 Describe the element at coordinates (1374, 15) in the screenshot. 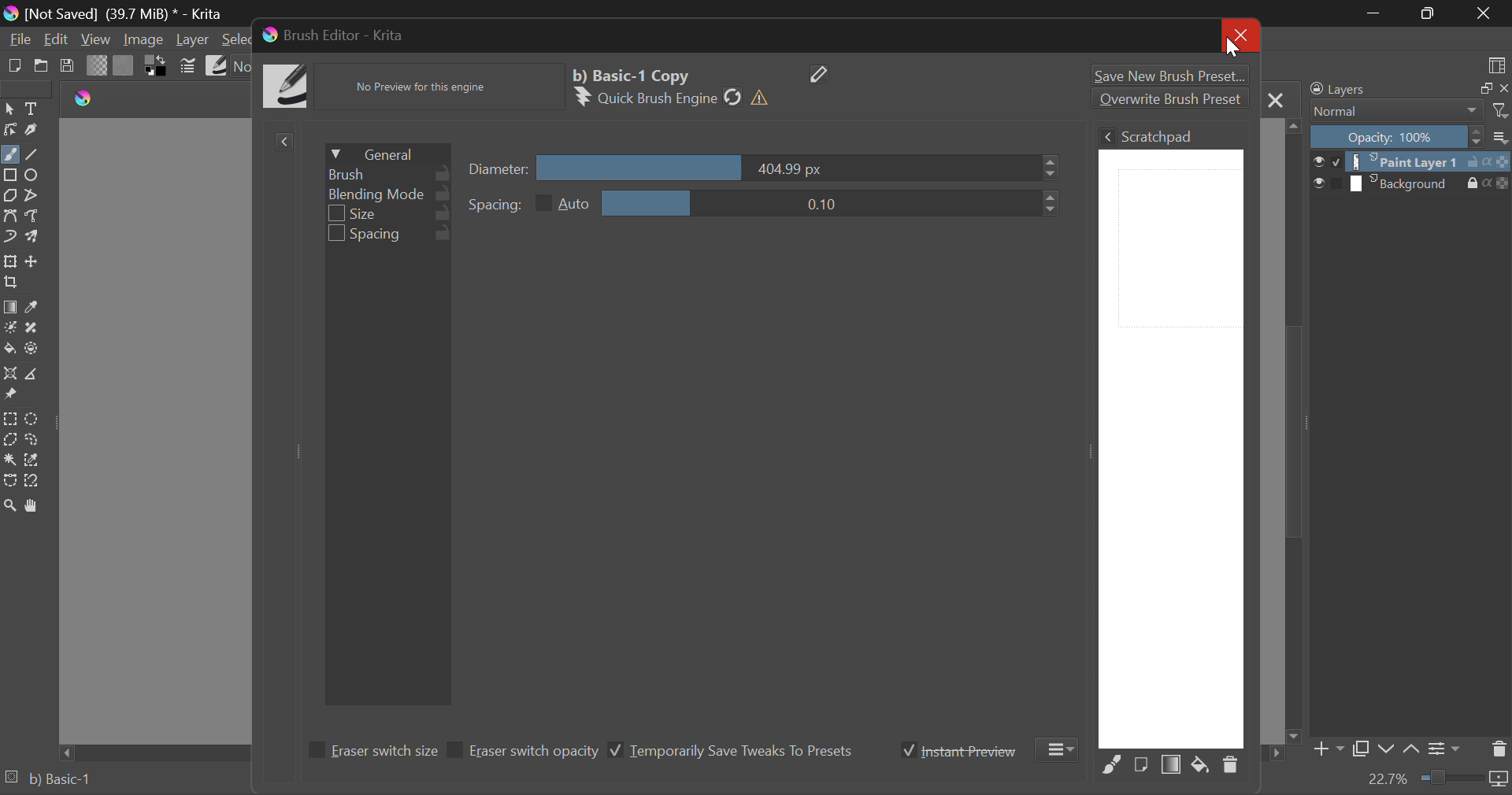

I see `Restore Down` at that location.